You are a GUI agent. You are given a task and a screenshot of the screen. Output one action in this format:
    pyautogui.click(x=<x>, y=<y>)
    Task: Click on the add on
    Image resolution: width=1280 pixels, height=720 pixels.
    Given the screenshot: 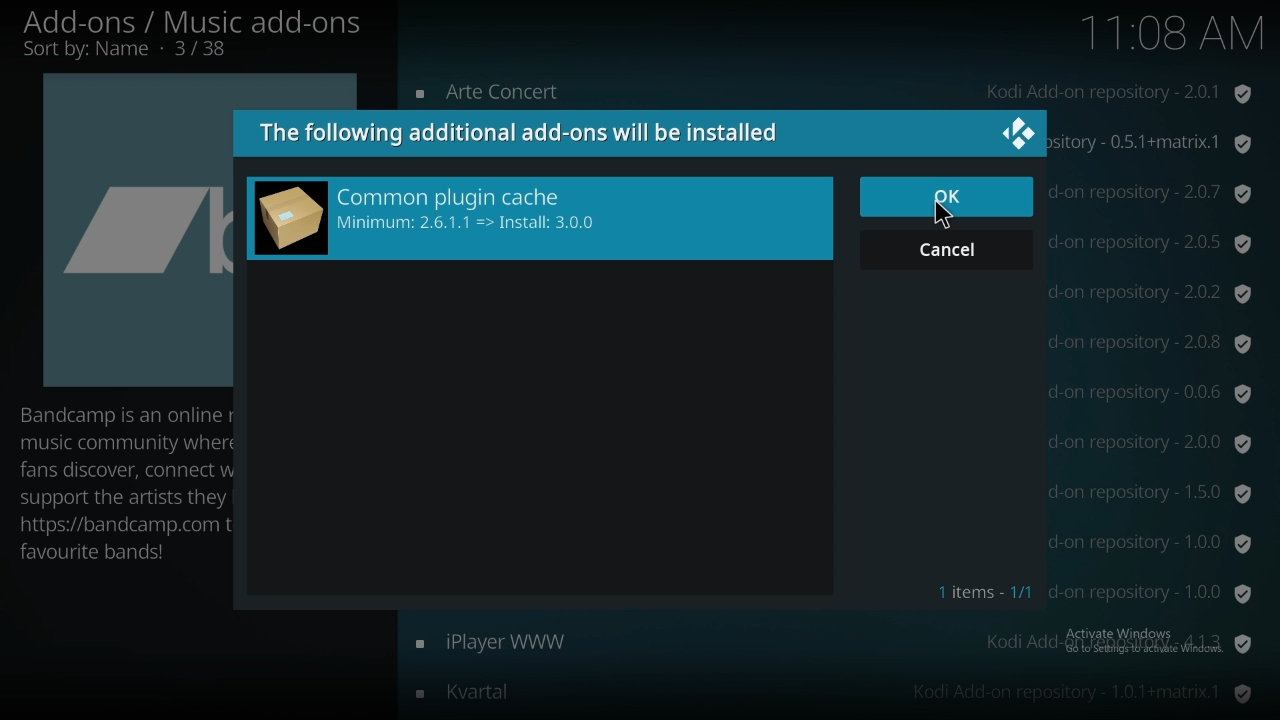 What is the action you would take?
    pyautogui.click(x=833, y=691)
    